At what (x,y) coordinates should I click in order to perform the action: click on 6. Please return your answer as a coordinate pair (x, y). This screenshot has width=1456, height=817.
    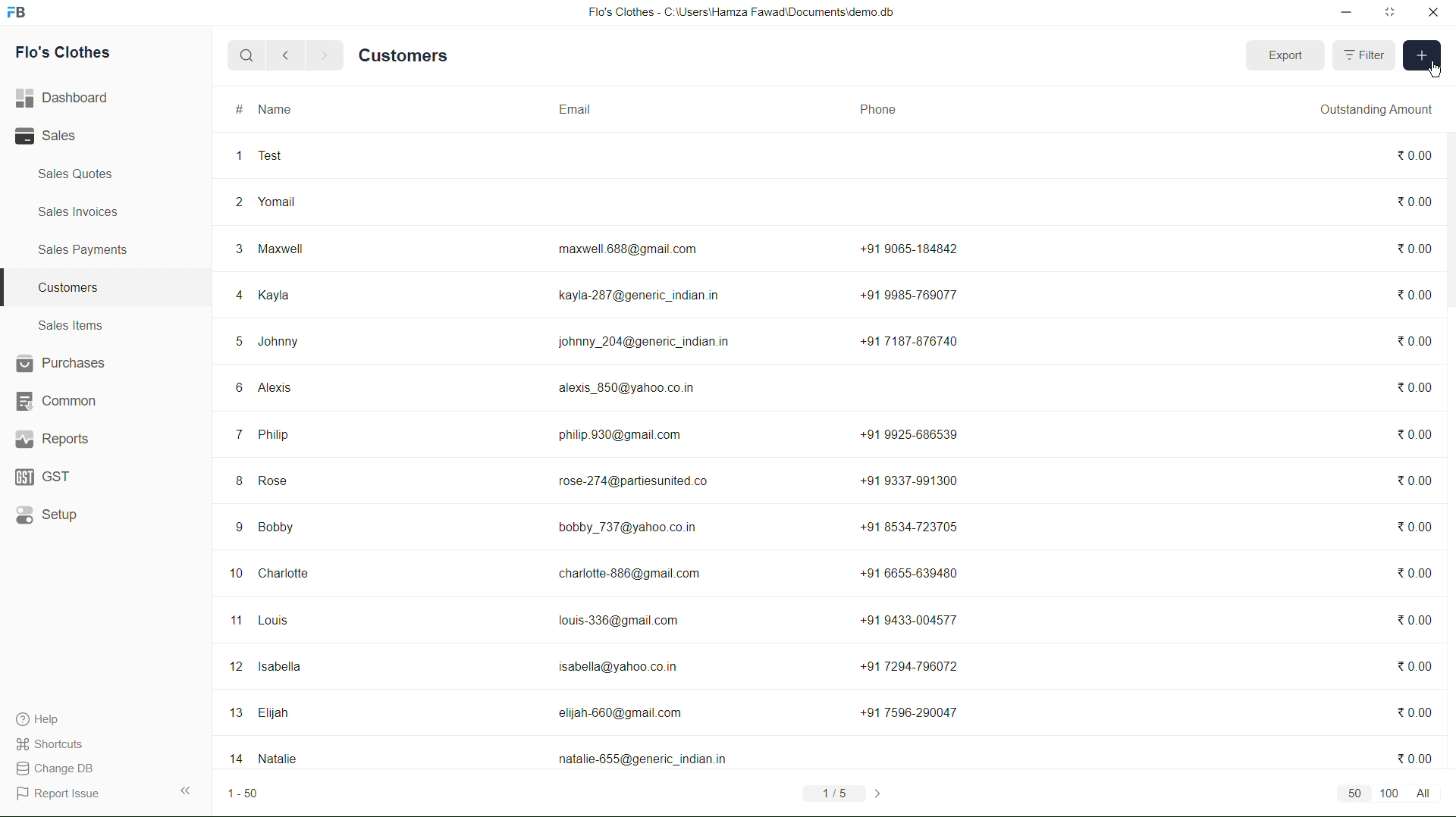
    Looking at the image, I should click on (238, 387).